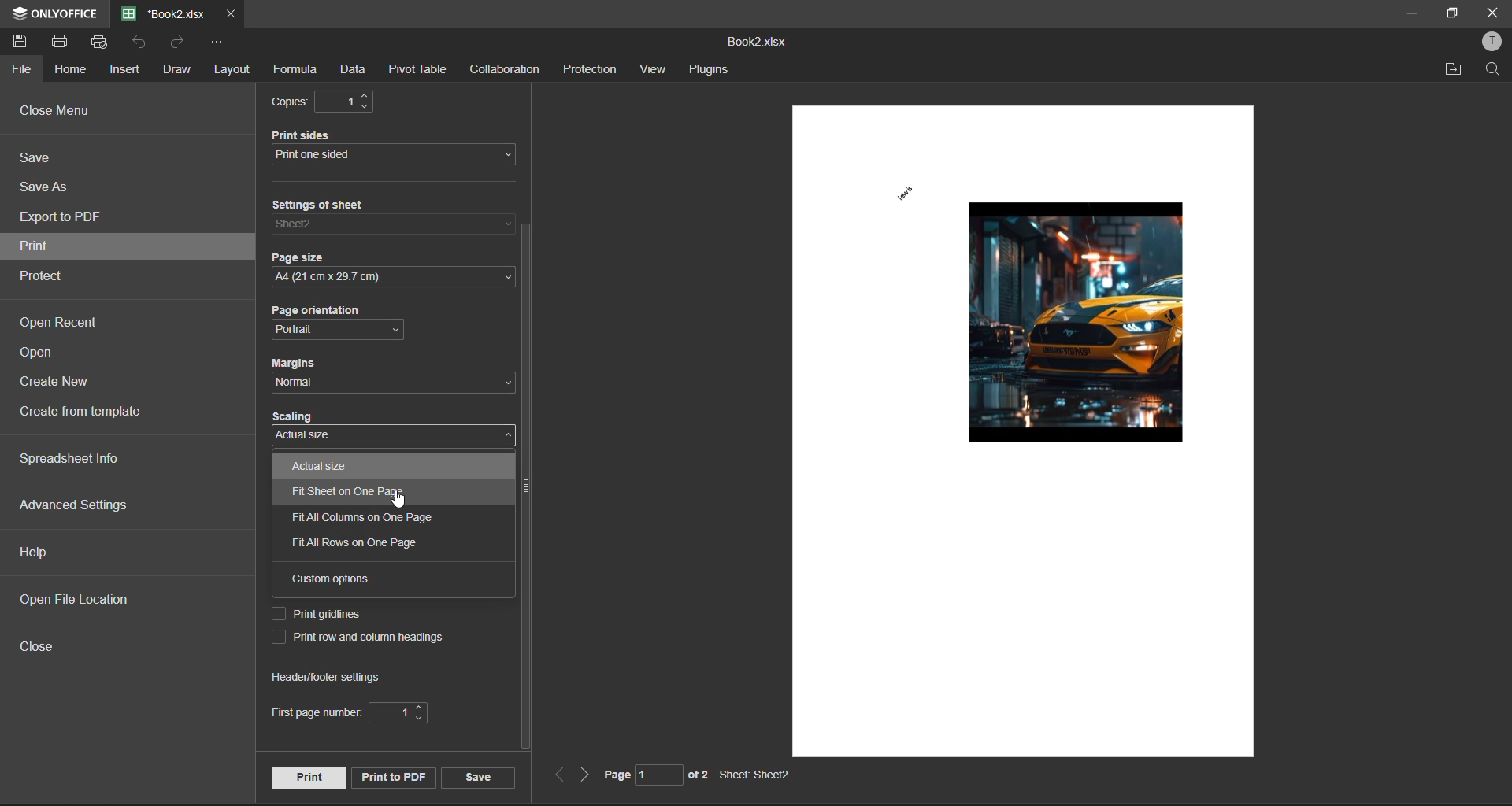 The width and height of the screenshot is (1512, 806). I want to click on scaling, so click(327, 419).